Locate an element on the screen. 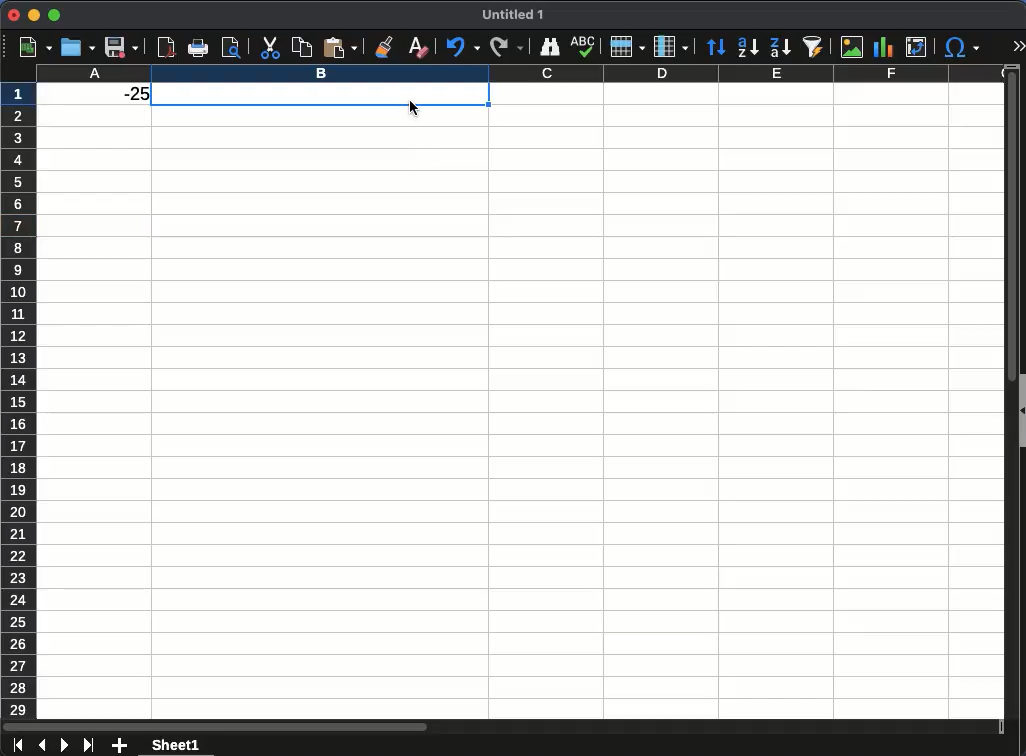 This screenshot has height=756, width=1026. image is located at coordinates (853, 46).